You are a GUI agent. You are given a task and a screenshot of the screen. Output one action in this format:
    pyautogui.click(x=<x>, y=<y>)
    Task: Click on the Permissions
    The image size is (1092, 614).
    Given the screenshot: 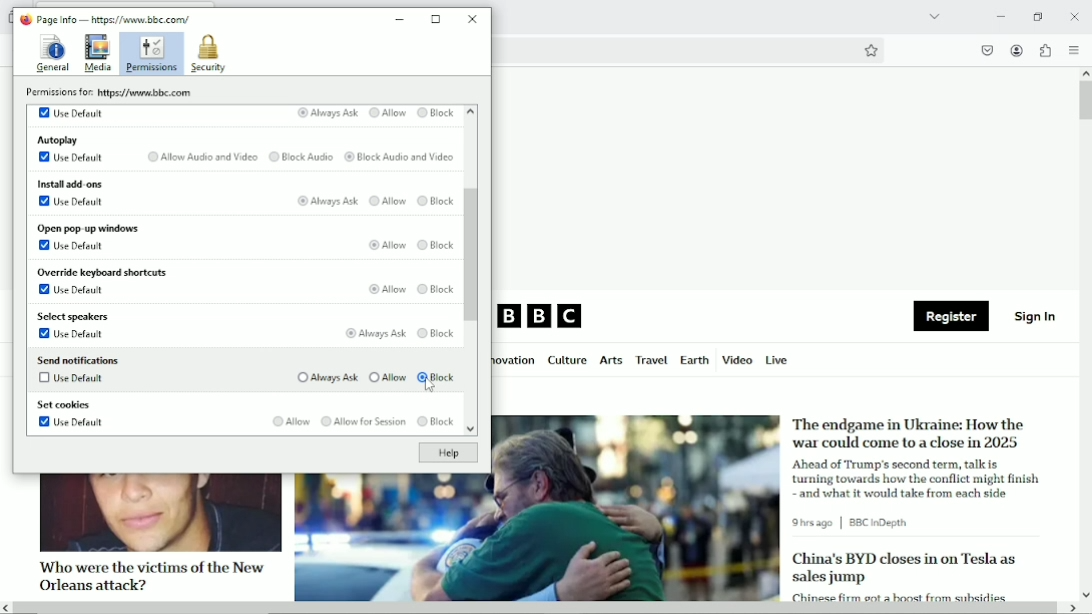 What is the action you would take?
    pyautogui.click(x=152, y=54)
    